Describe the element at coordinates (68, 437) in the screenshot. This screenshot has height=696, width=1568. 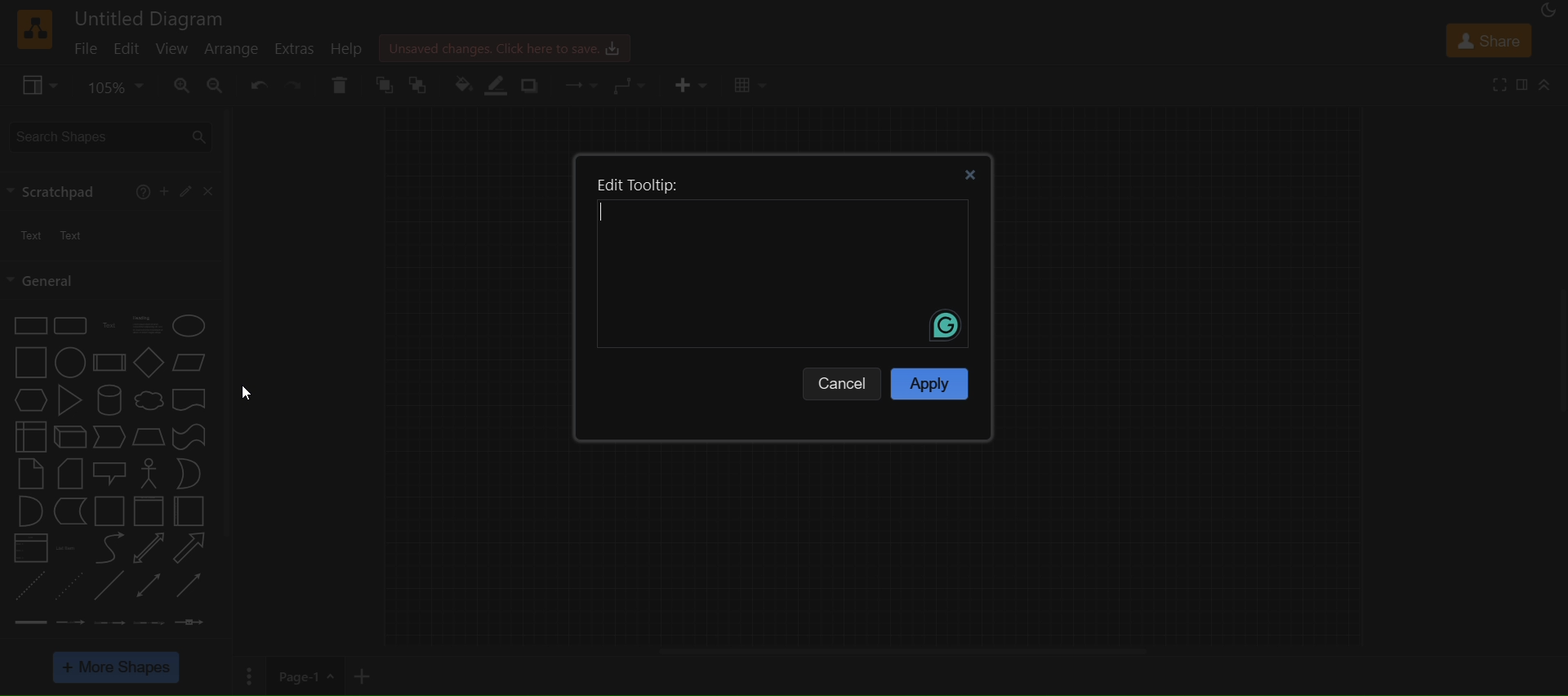
I see `cube` at that location.